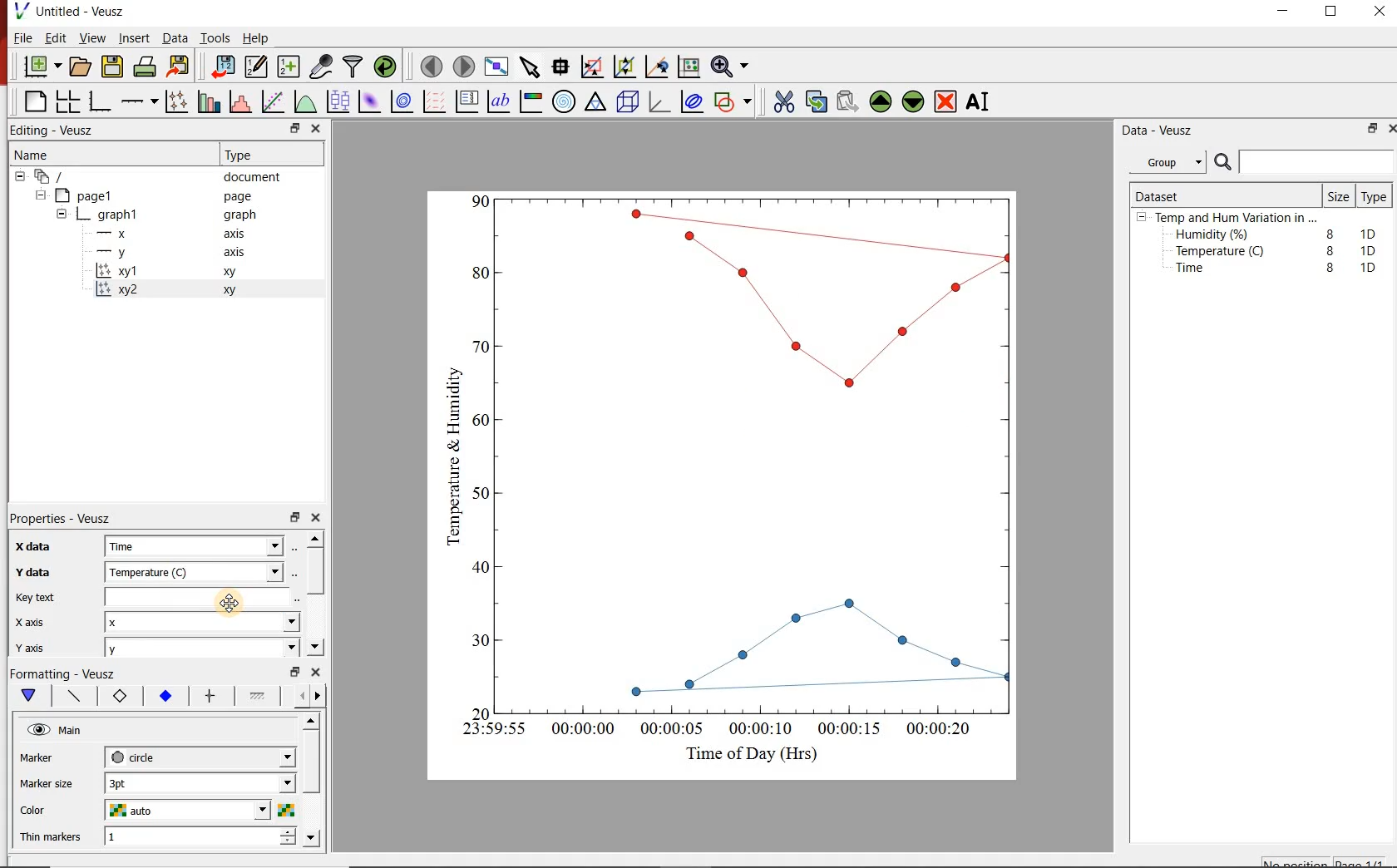 Image resolution: width=1397 pixels, height=868 pixels. Describe the element at coordinates (625, 68) in the screenshot. I see `click to zoom out of graph axes` at that location.